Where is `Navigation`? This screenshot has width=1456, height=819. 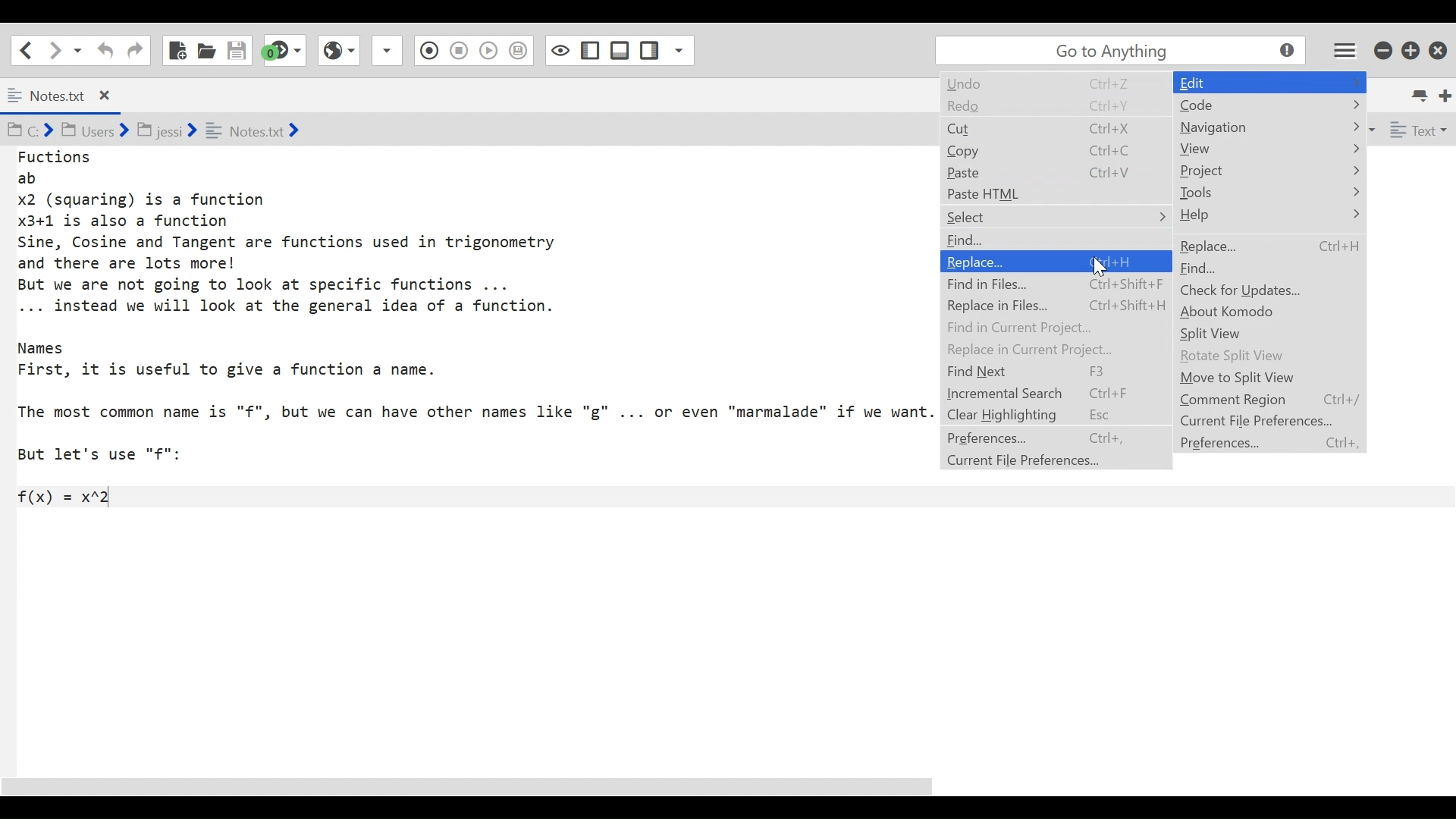
Navigation is located at coordinates (1235, 127).